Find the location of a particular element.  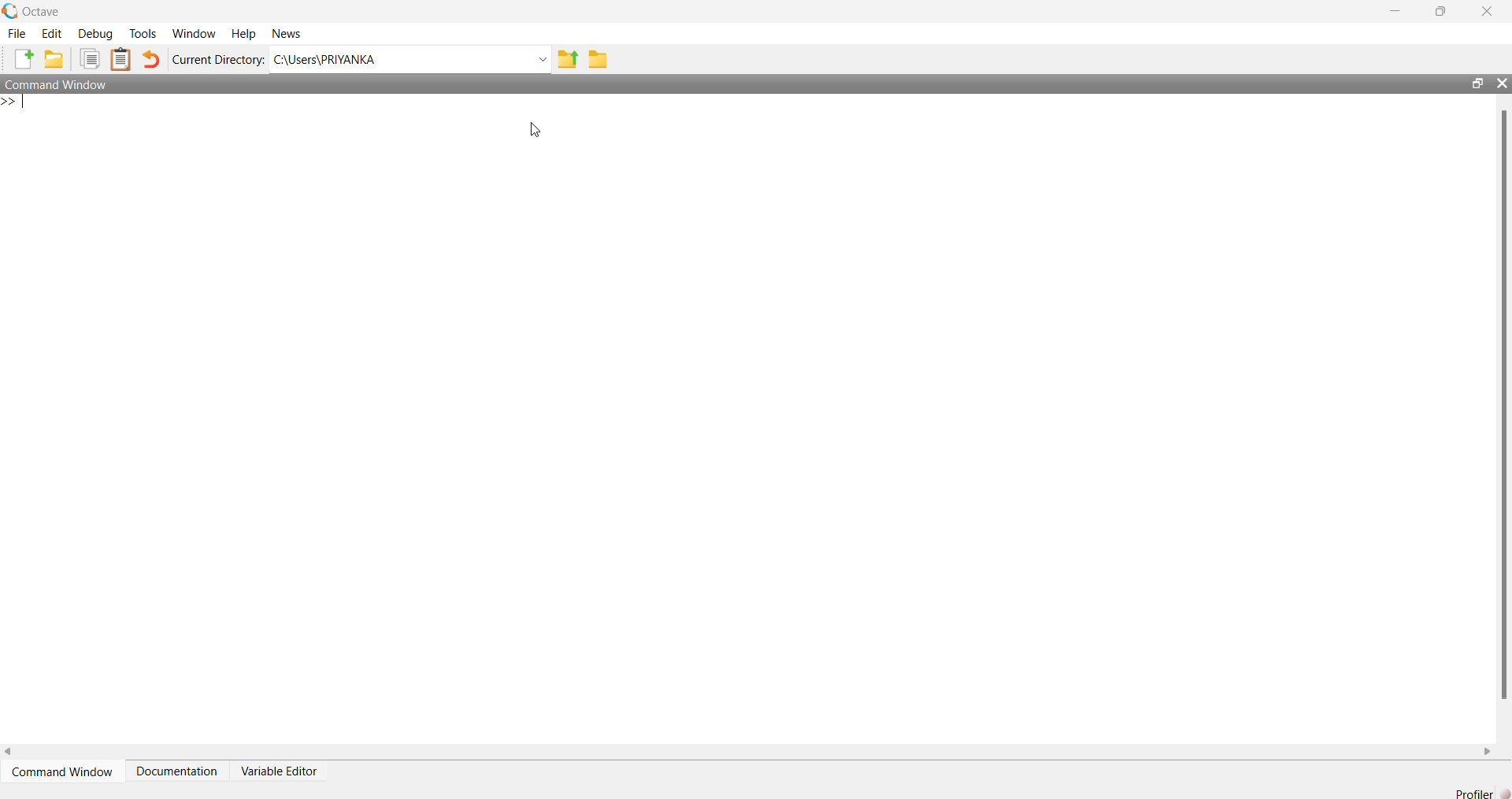

dropdown is located at coordinates (542, 59).